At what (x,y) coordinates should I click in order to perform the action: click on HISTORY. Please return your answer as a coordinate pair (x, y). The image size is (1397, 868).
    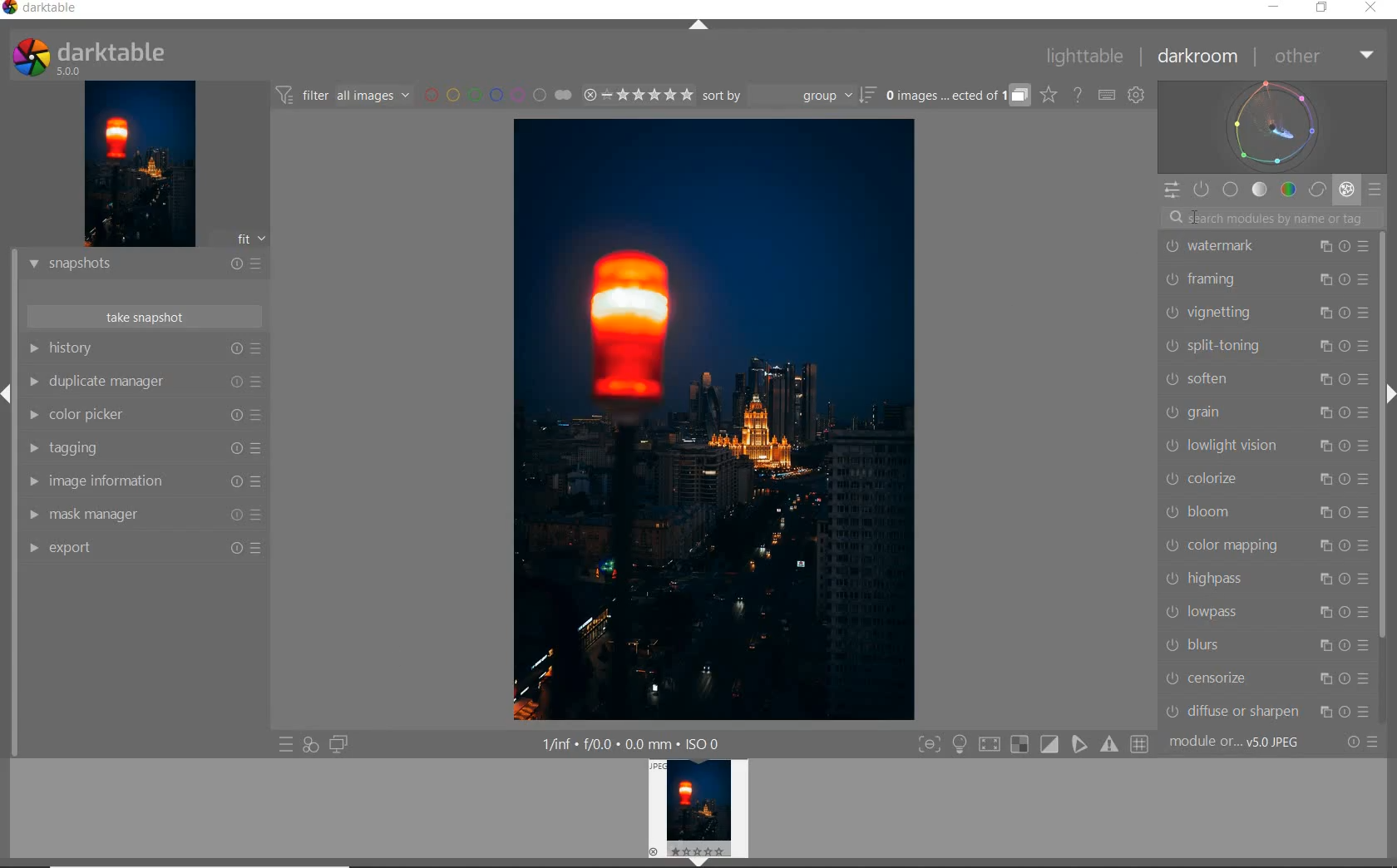
    Looking at the image, I should click on (111, 349).